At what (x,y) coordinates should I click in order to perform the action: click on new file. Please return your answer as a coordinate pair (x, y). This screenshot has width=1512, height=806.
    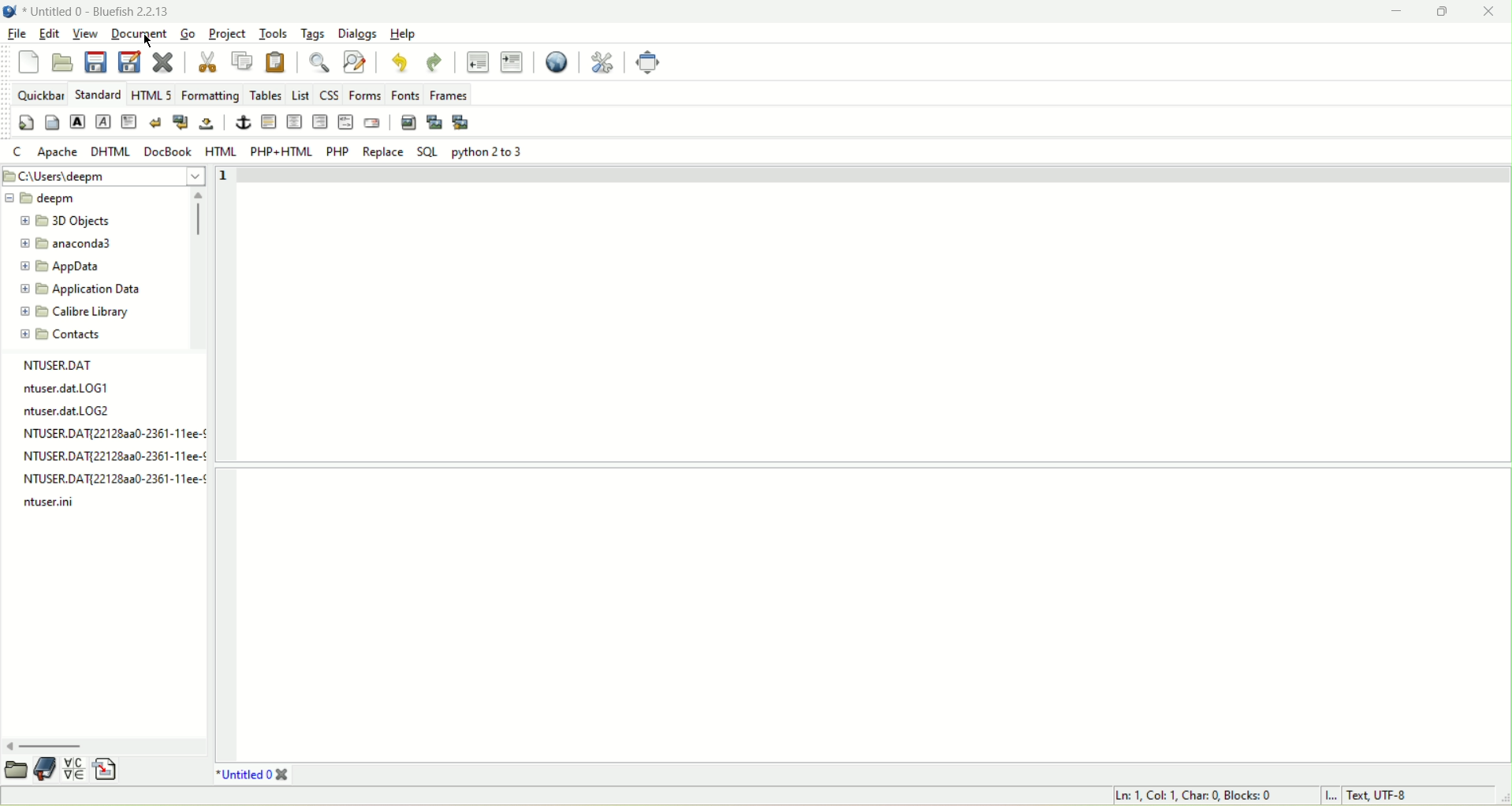
    Looking at the image, I should click on (30, 62).